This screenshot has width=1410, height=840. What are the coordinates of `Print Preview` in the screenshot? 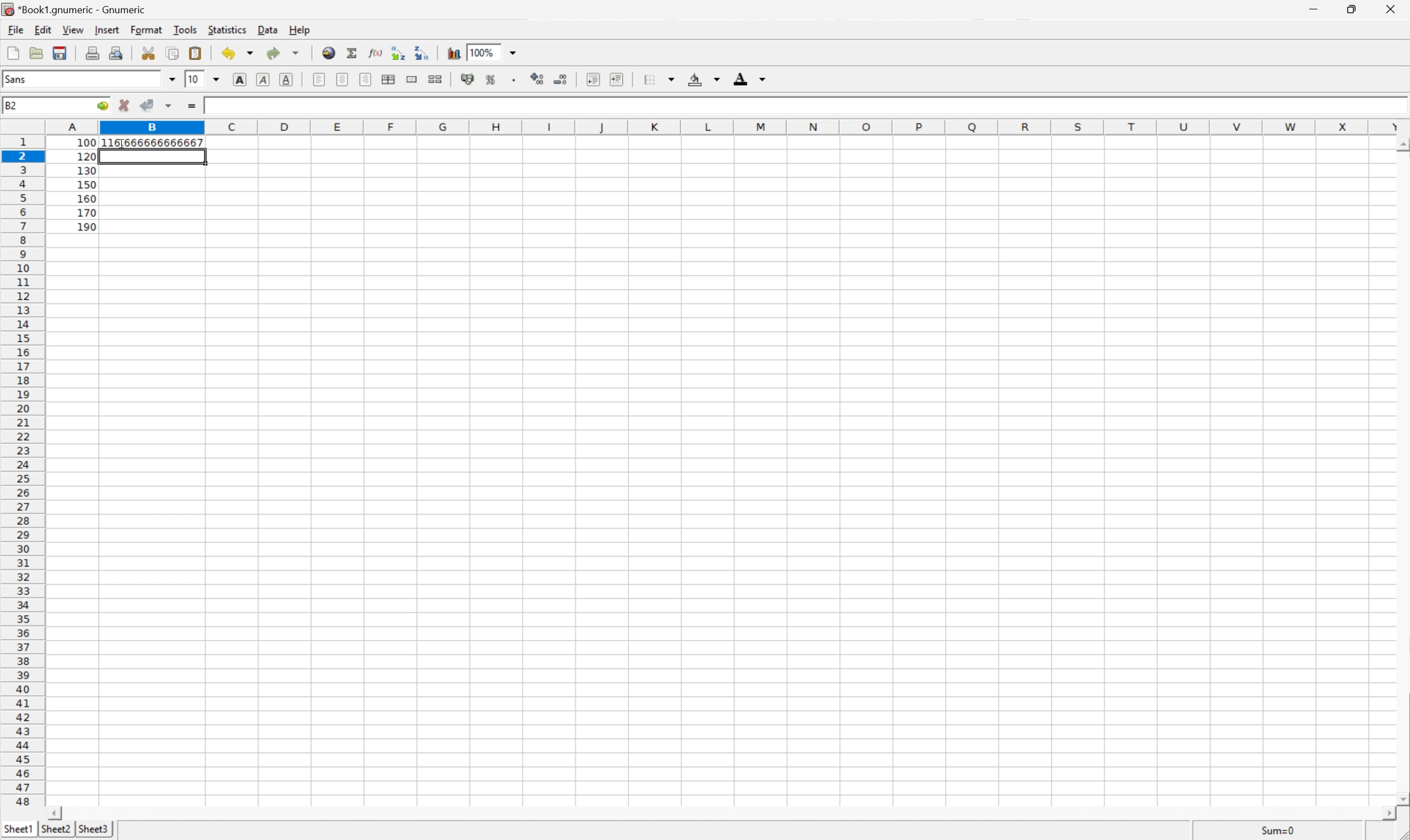 It's located at (118, 52).